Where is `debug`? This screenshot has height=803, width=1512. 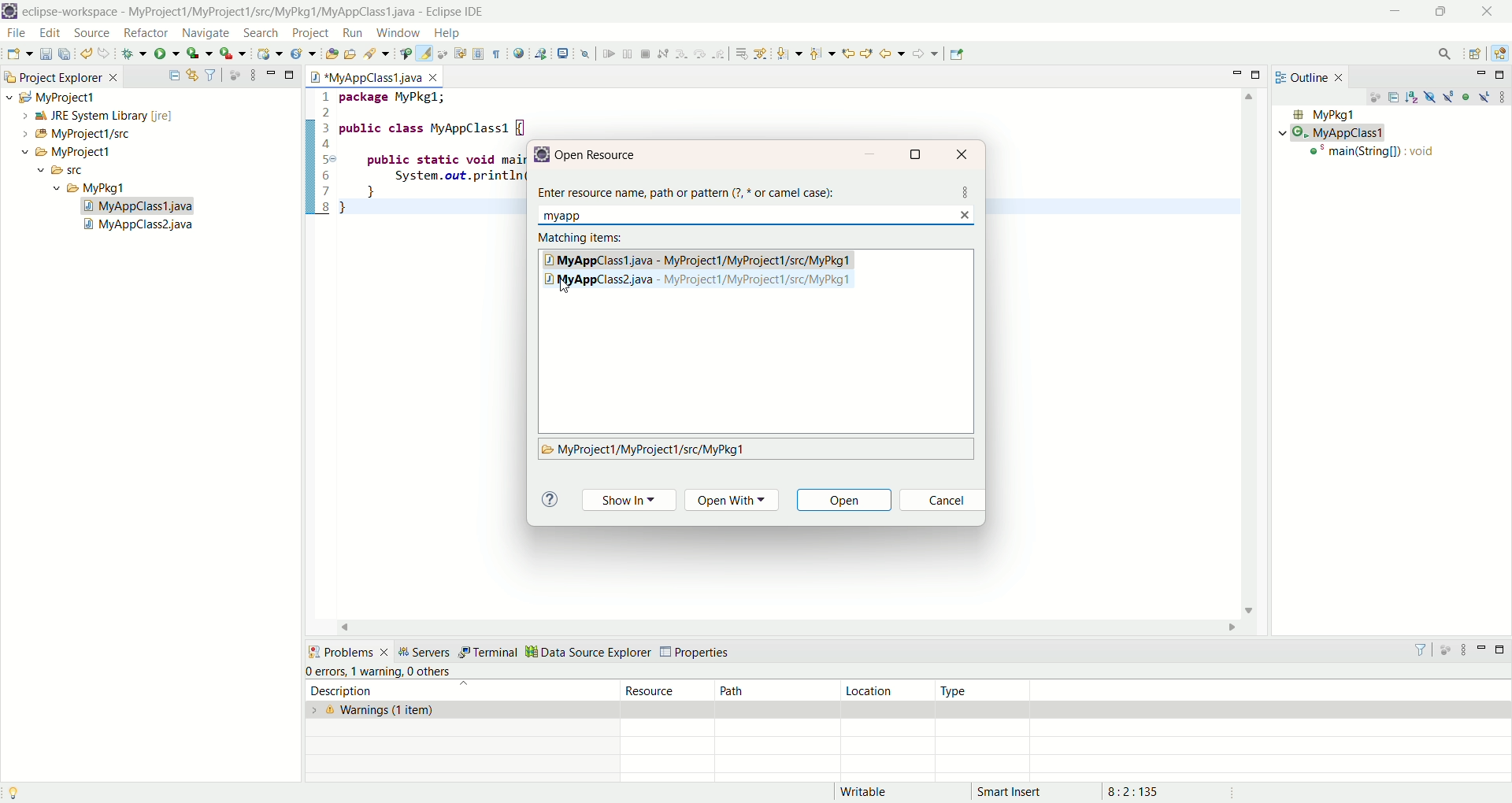 debug is located at coordinates (135, 56).